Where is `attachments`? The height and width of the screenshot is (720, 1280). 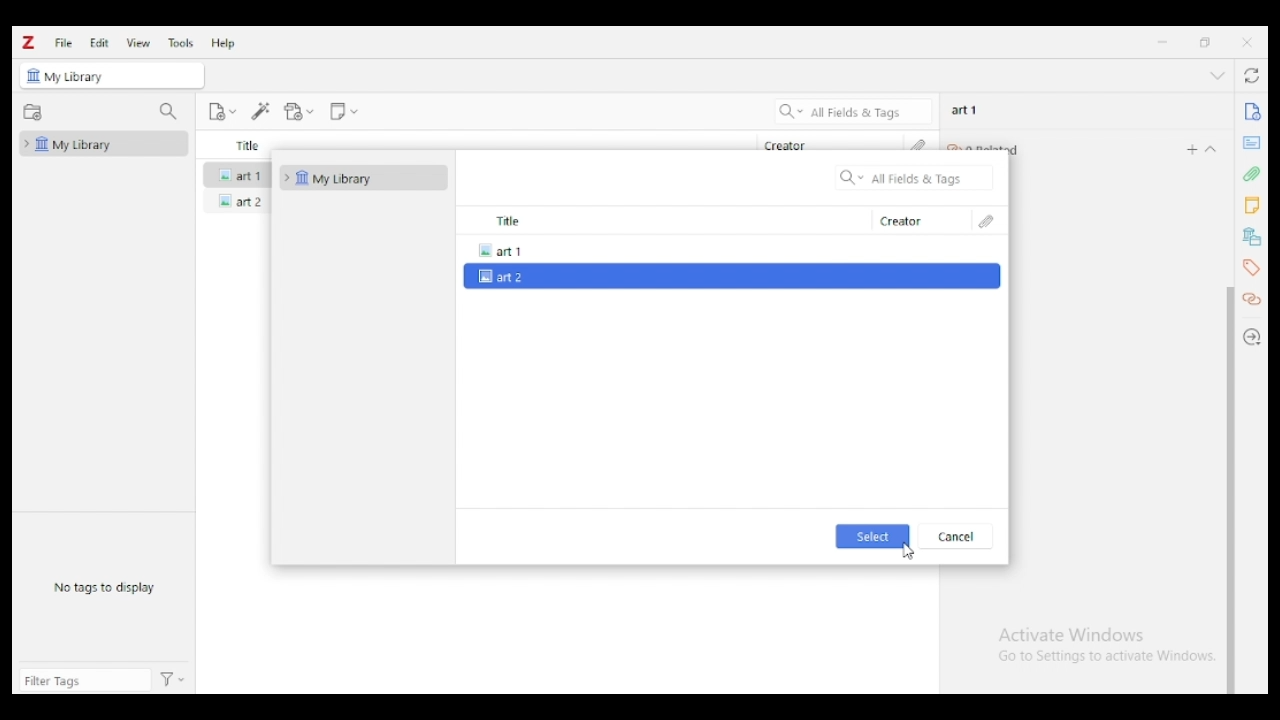 attachments is located at coordinates (988, 221).